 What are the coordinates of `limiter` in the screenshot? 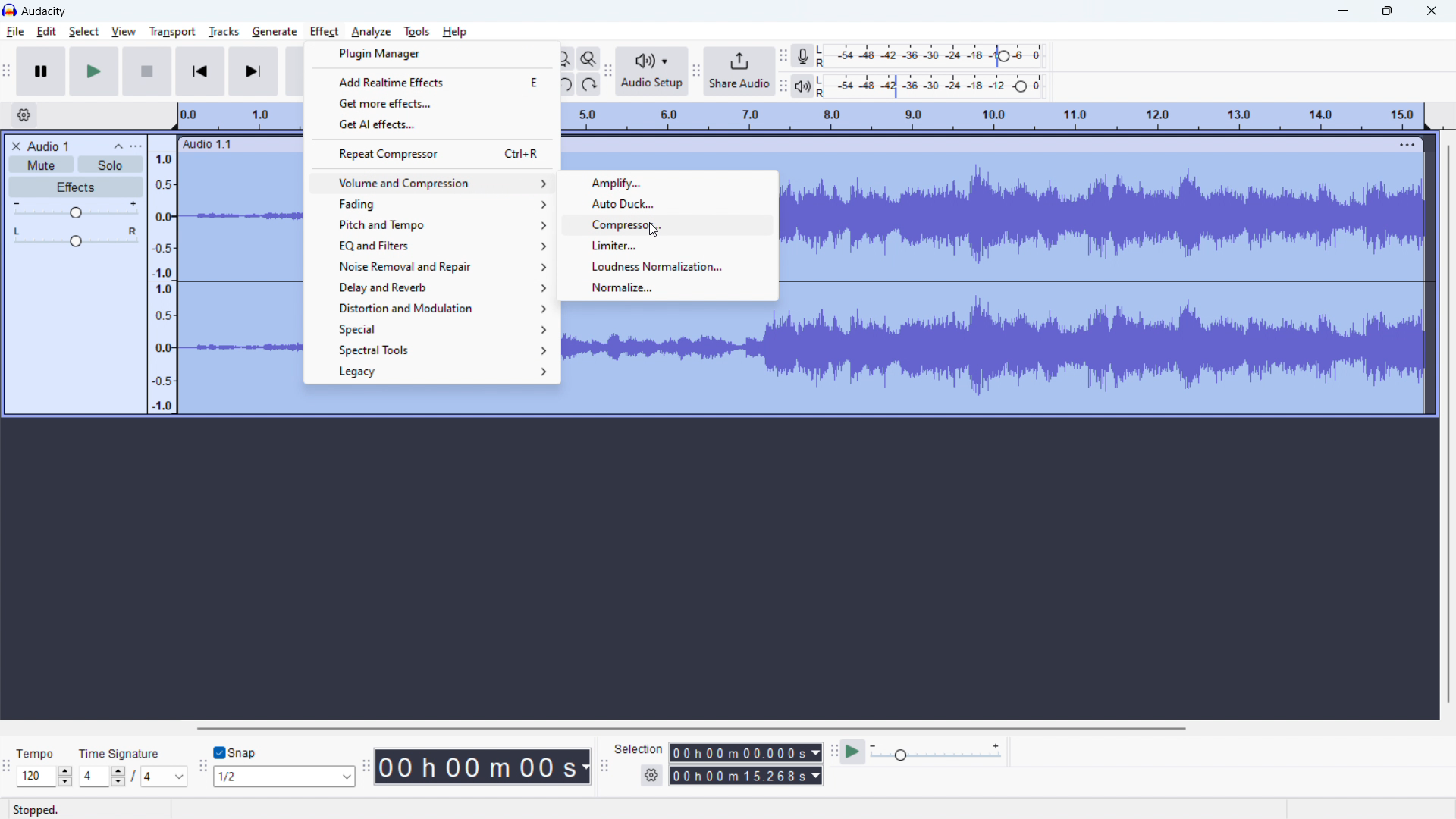 It's located at (668, 245).